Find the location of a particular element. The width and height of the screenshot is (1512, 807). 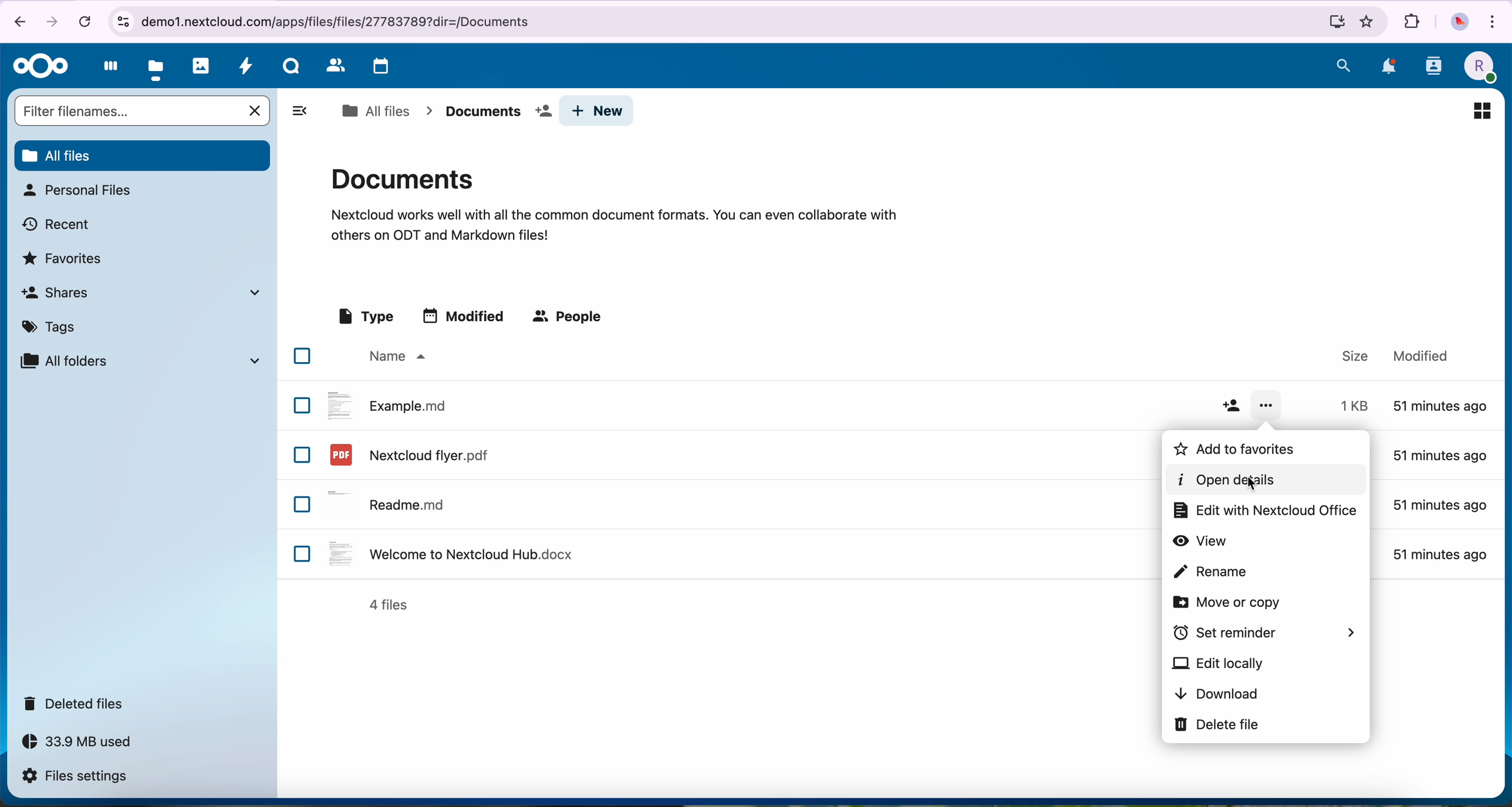

rename is located at coordinates (1209, 572).